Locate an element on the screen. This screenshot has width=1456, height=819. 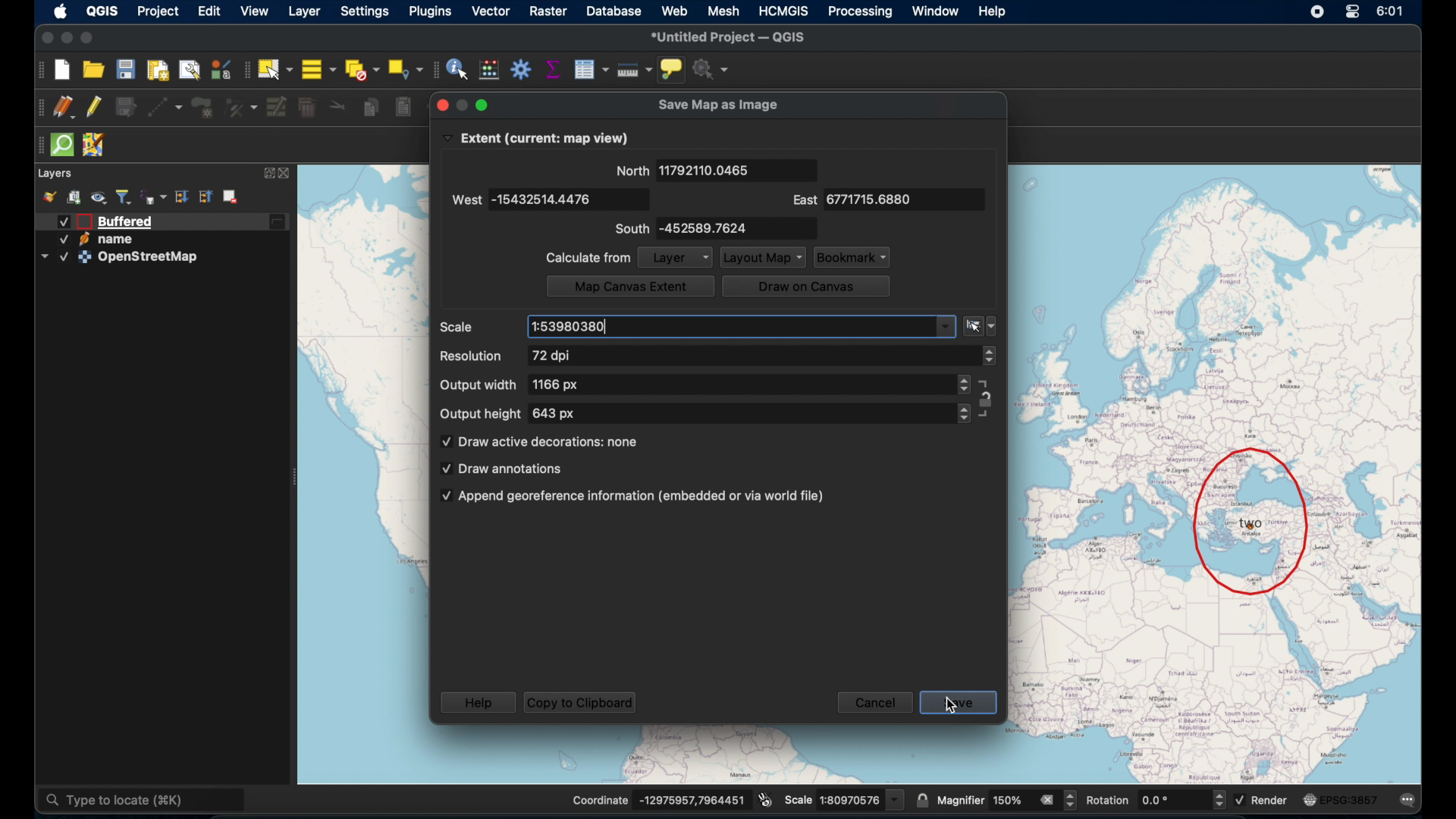
open project is located at coordinates (97, 67).